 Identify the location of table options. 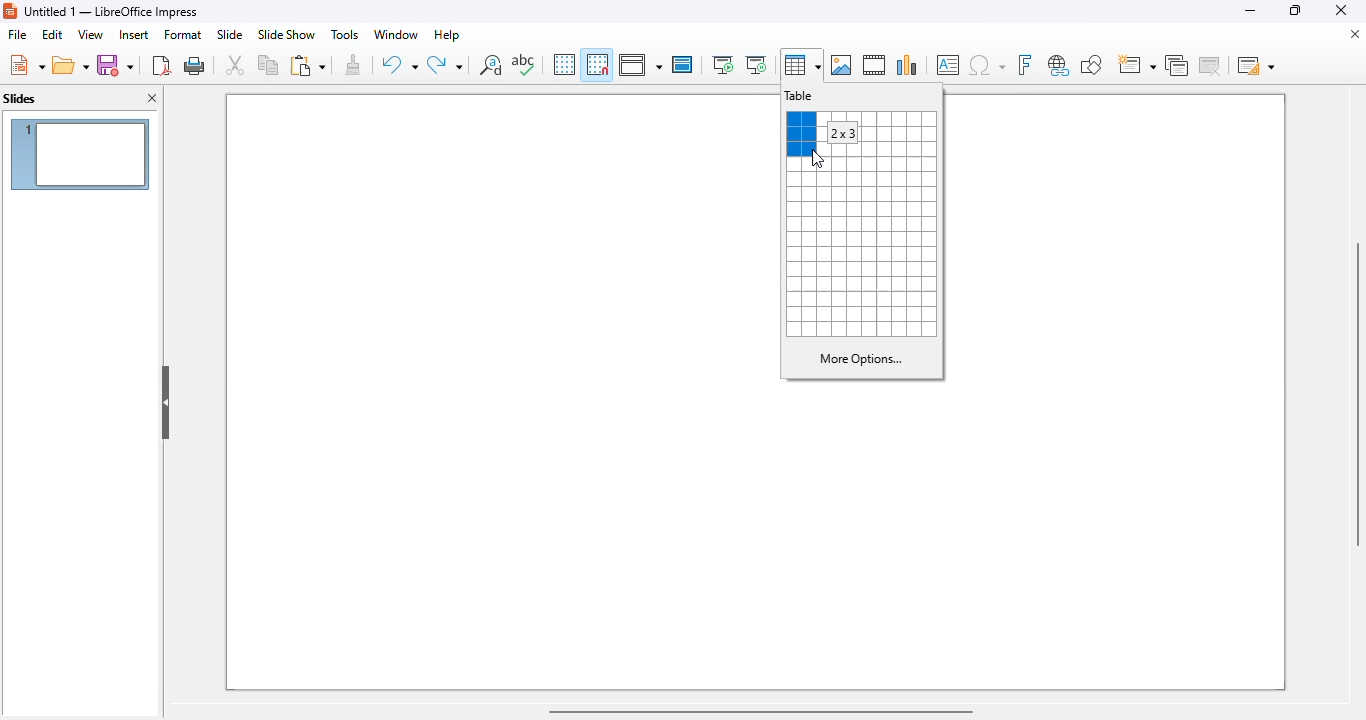
(861, 256).